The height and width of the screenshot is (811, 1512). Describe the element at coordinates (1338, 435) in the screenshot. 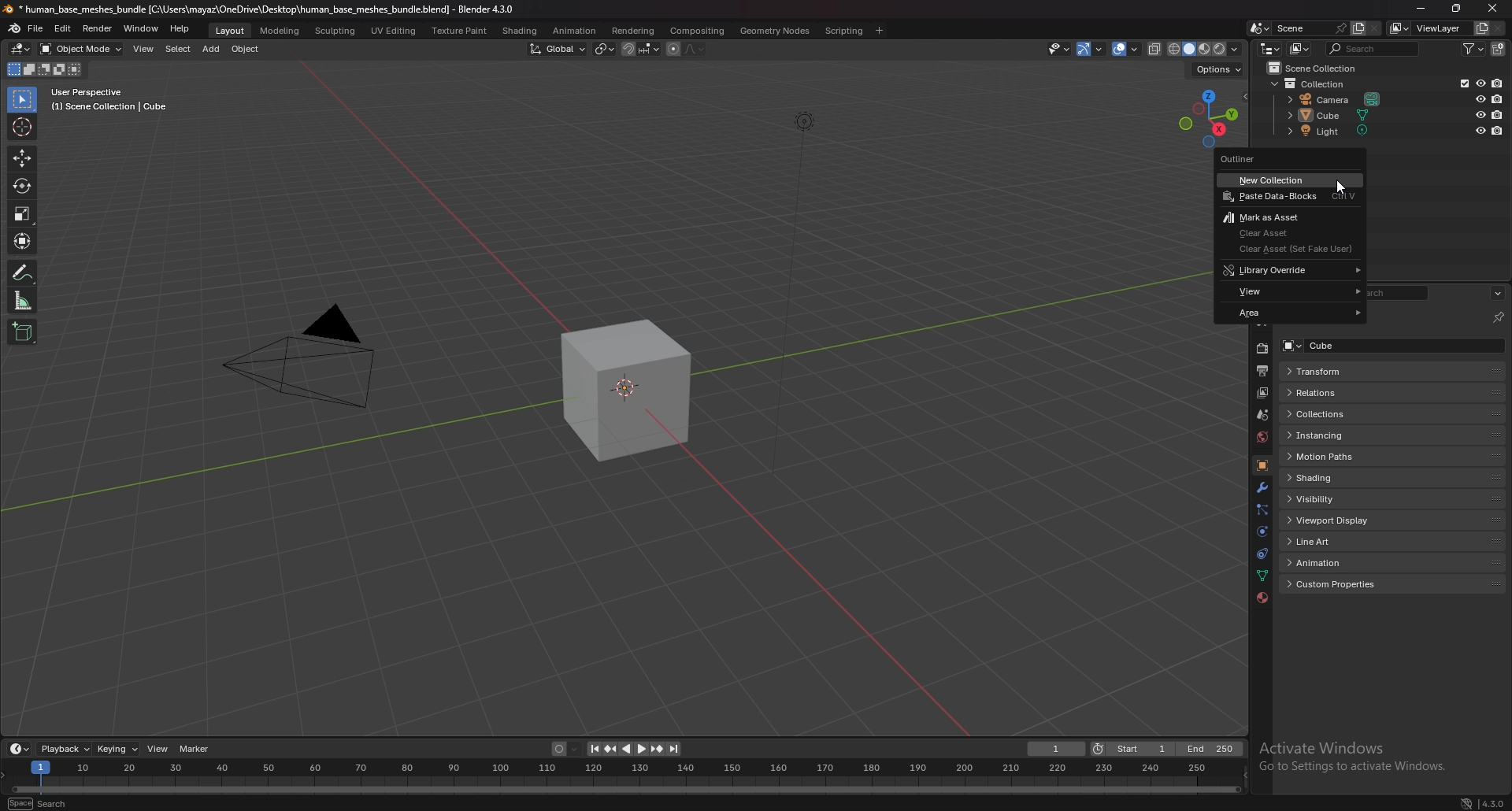

I see `instancing` at that location.